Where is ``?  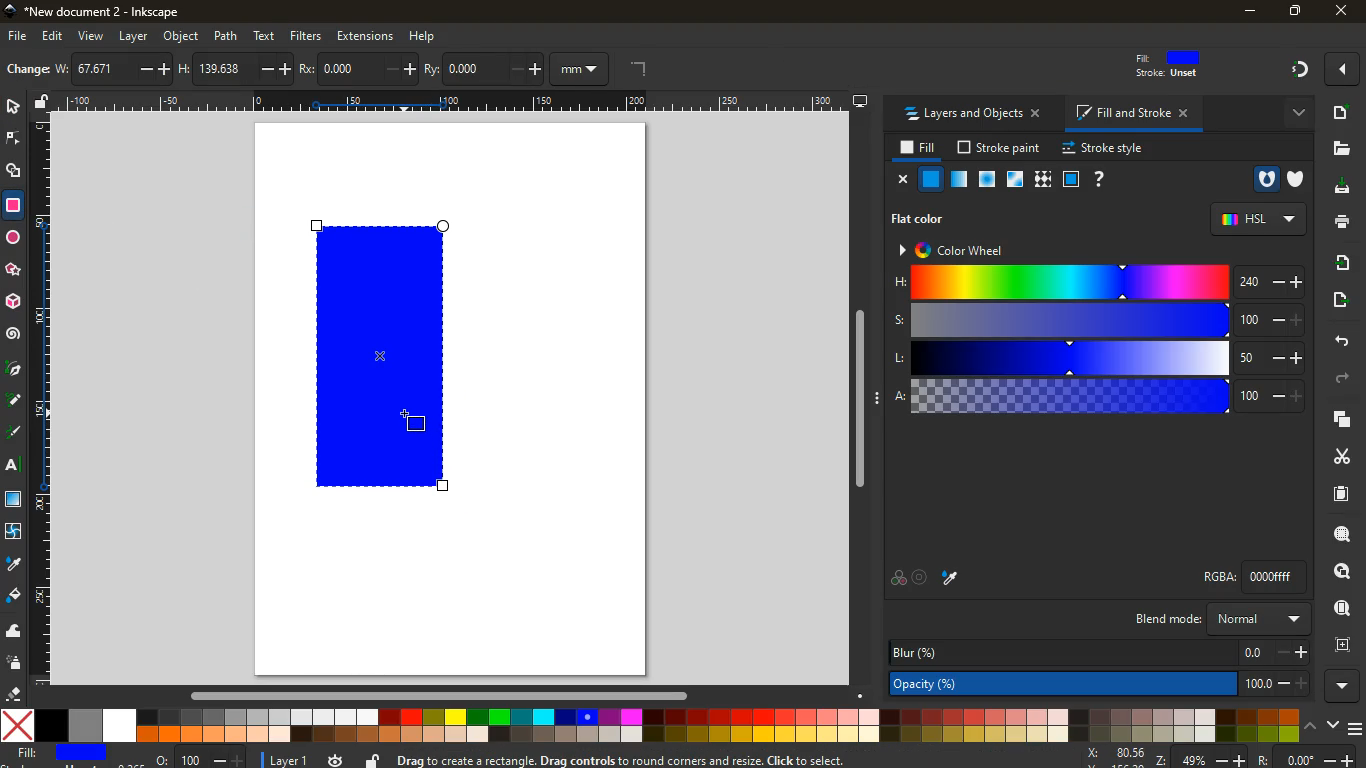
 is located at coordinates (1338, 71).